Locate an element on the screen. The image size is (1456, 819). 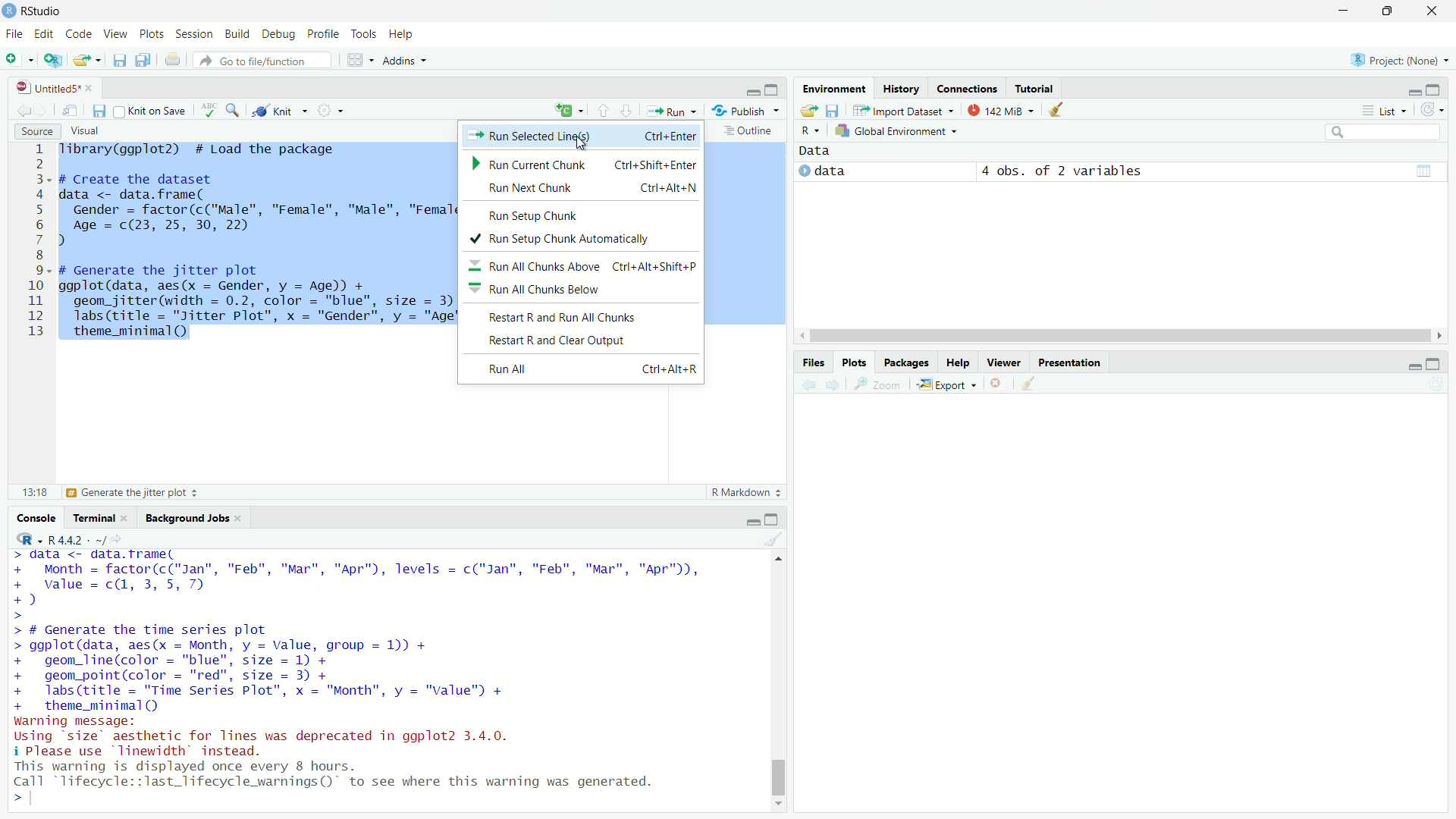
prompt cursor is located at coordinates (13, 804).